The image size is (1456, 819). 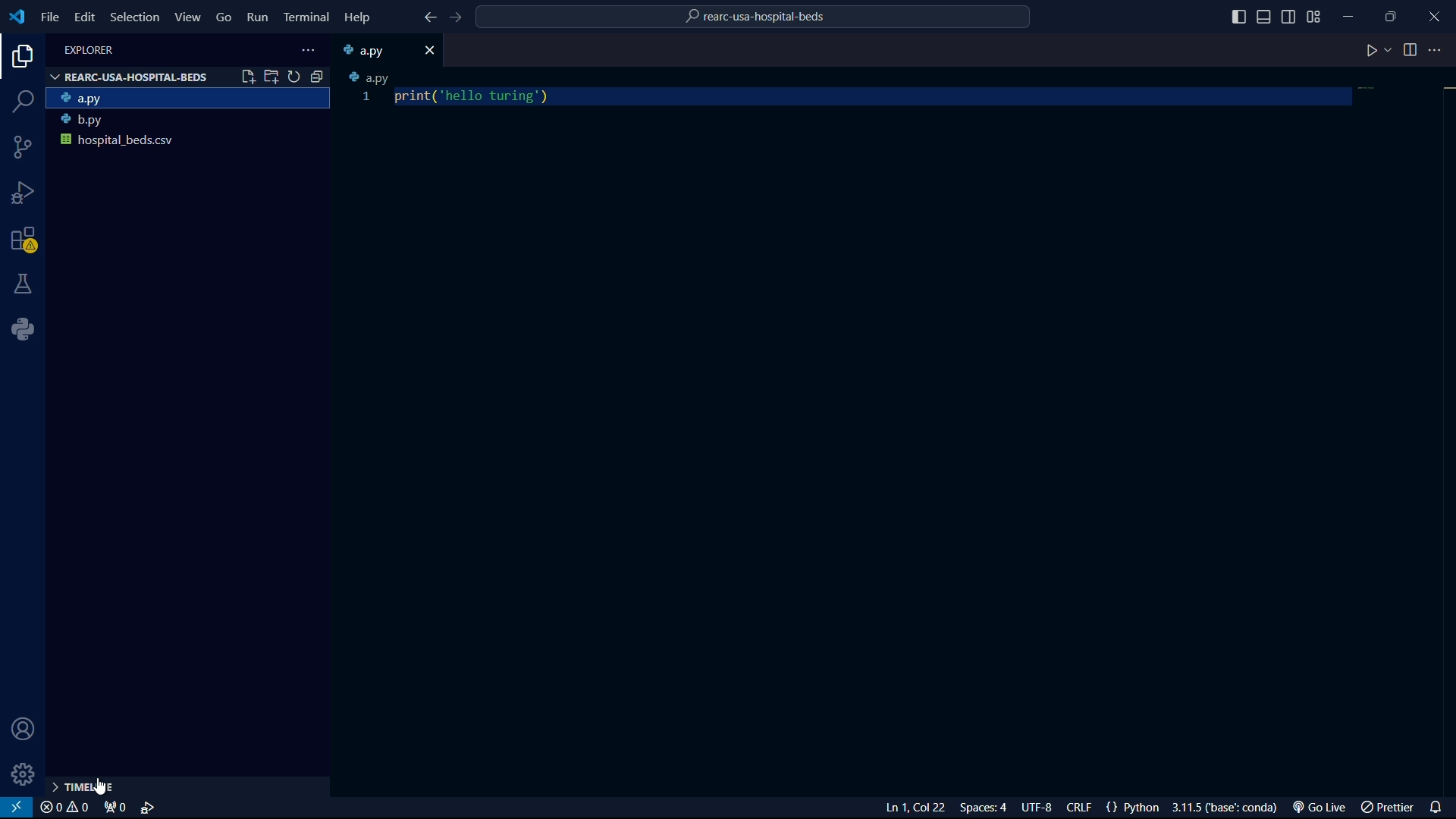 I want to click on terminal menu, so click(x=306, y=18).